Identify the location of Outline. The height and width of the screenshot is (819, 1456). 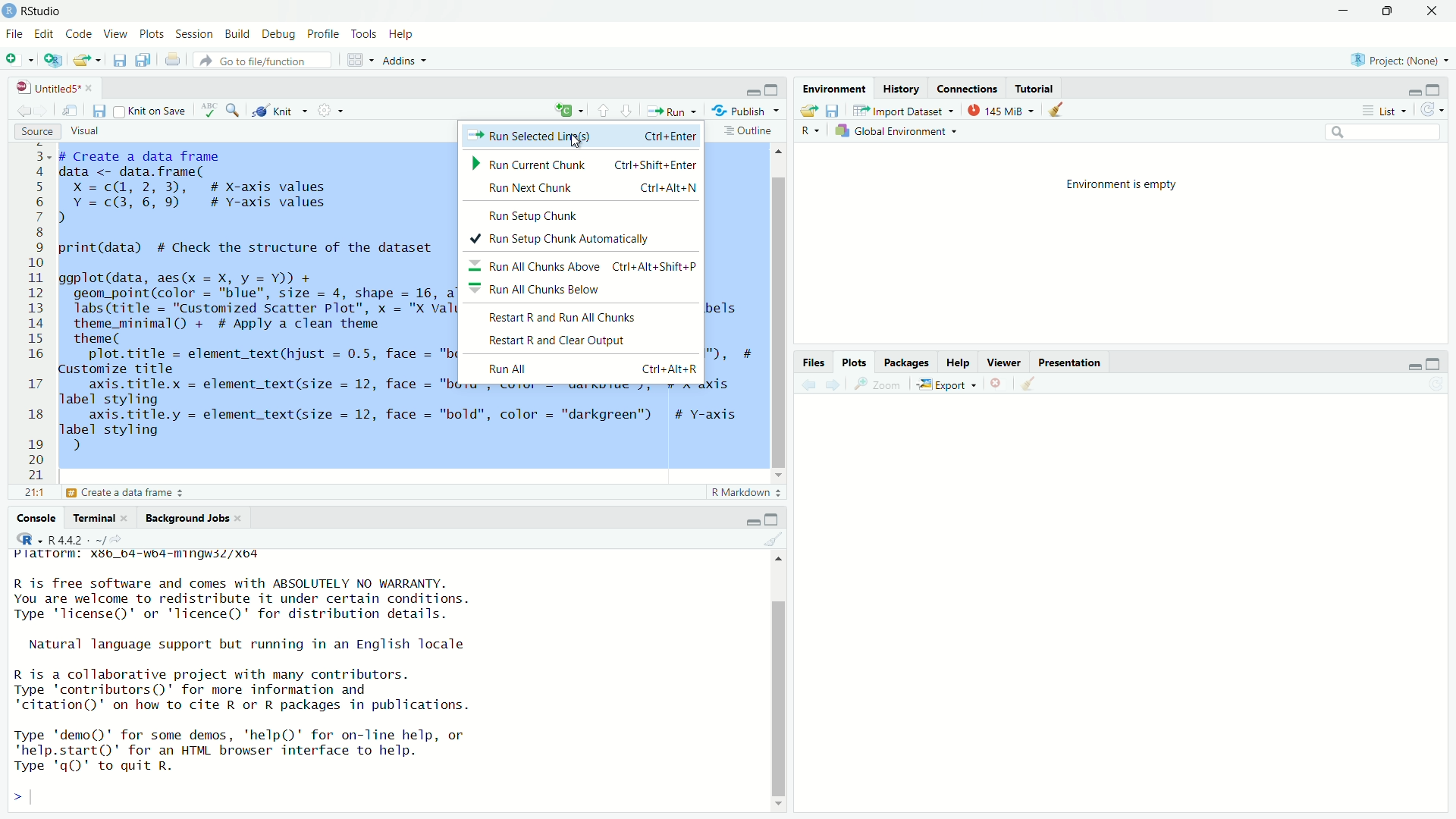
(748, 133).